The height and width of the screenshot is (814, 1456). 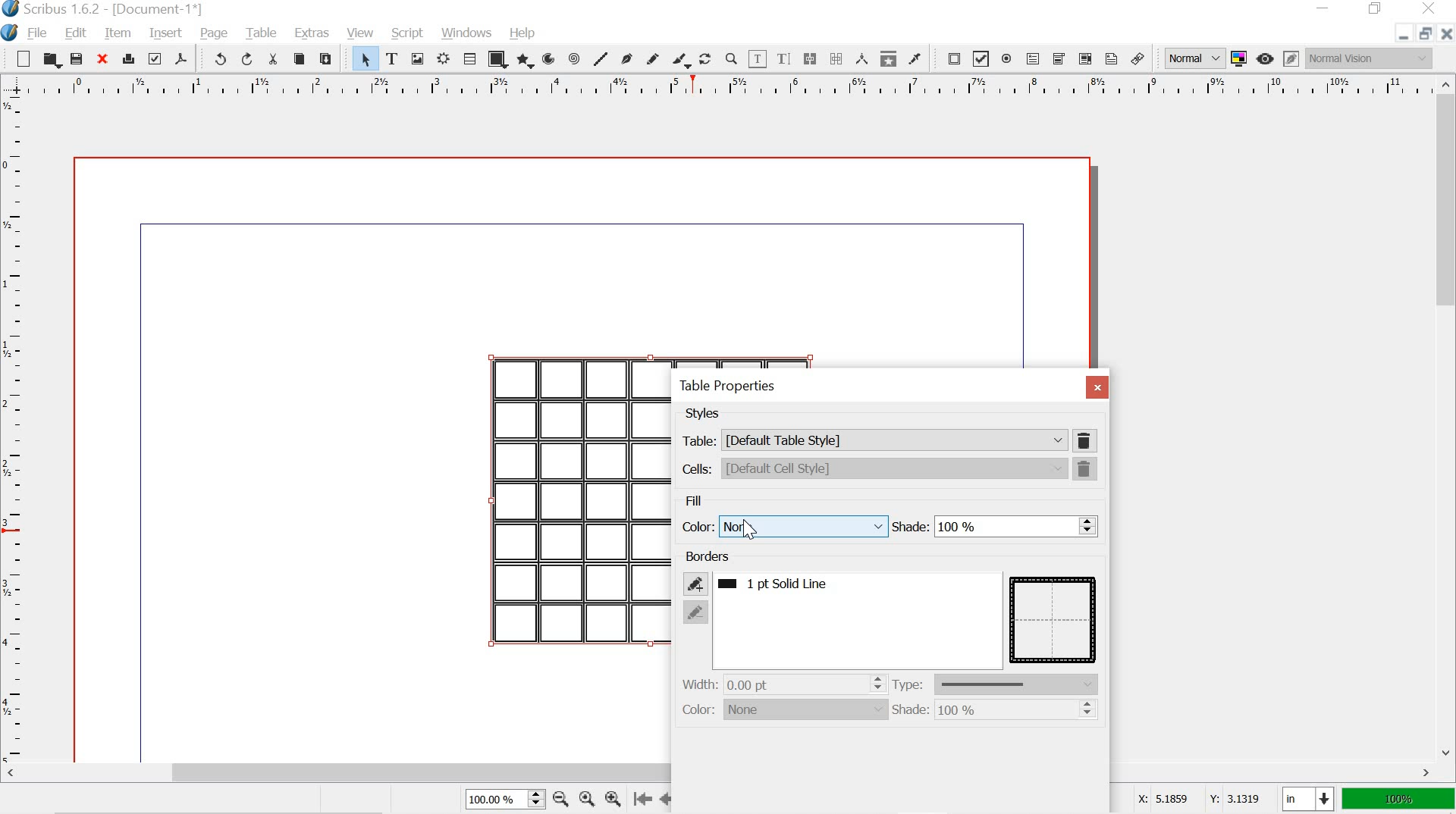 What do you see at coordinates (246, 58) in the screenshot?
I see `redo` at bounding box center [246, 58].